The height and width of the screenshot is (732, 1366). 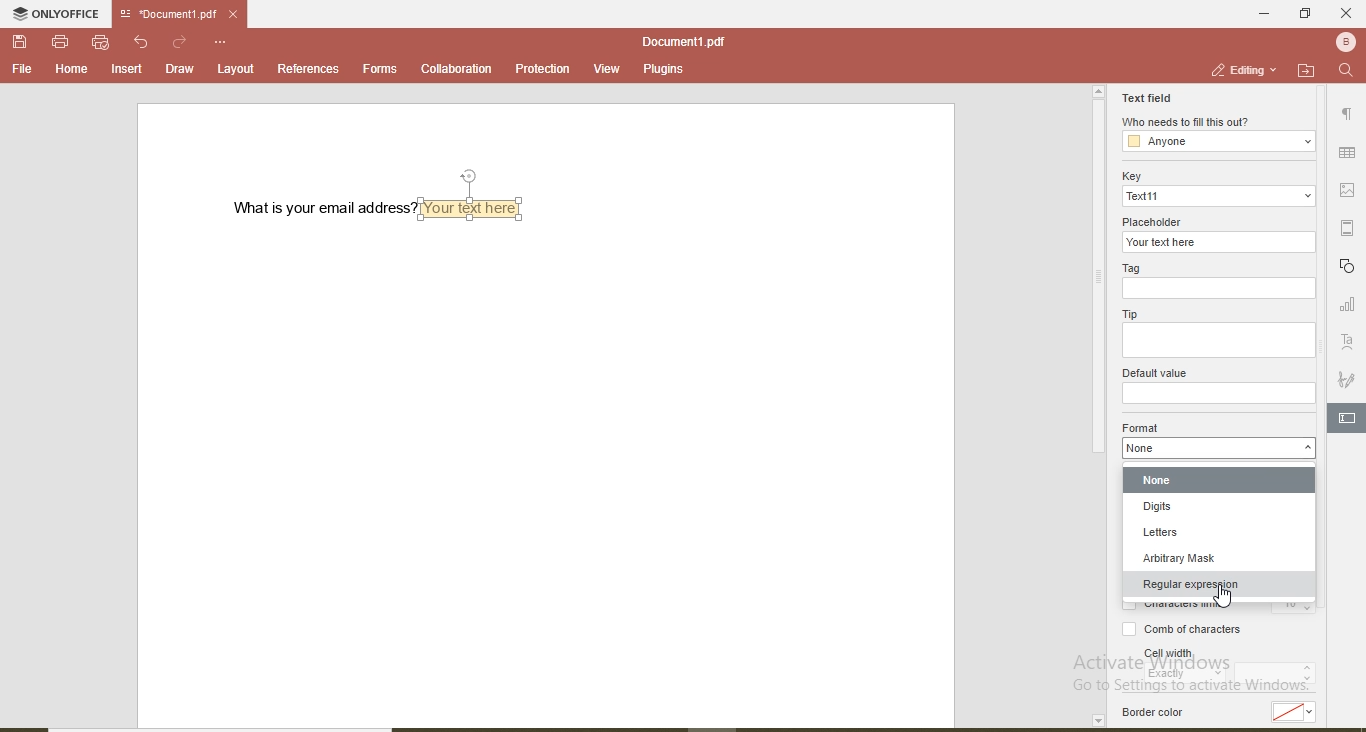 What do you see at coordinates (1346, 71) in the screenshot?
I see `find` at bounding box center [1346, 71].